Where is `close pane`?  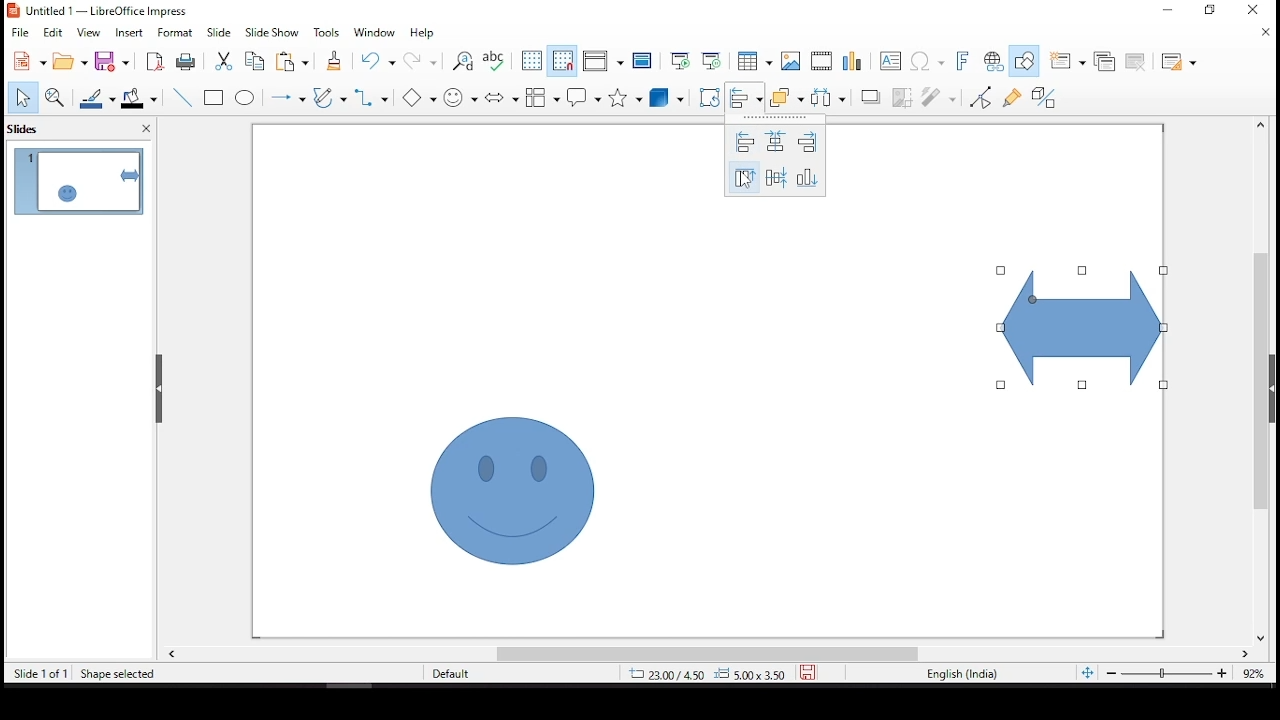 close pane is located at coordinates (143, 131).